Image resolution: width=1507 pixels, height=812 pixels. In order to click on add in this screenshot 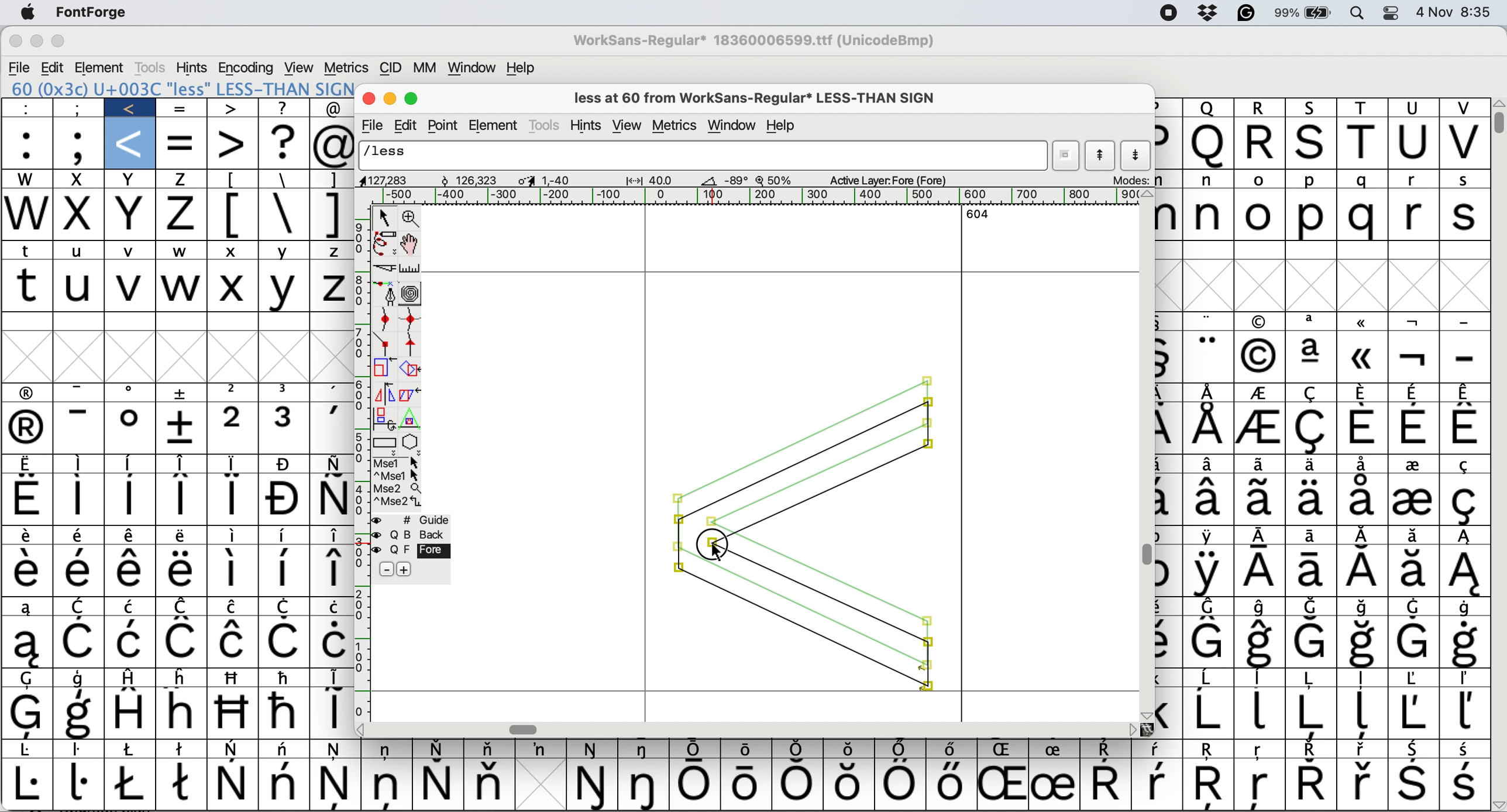, I will do `click(405, 569)`.